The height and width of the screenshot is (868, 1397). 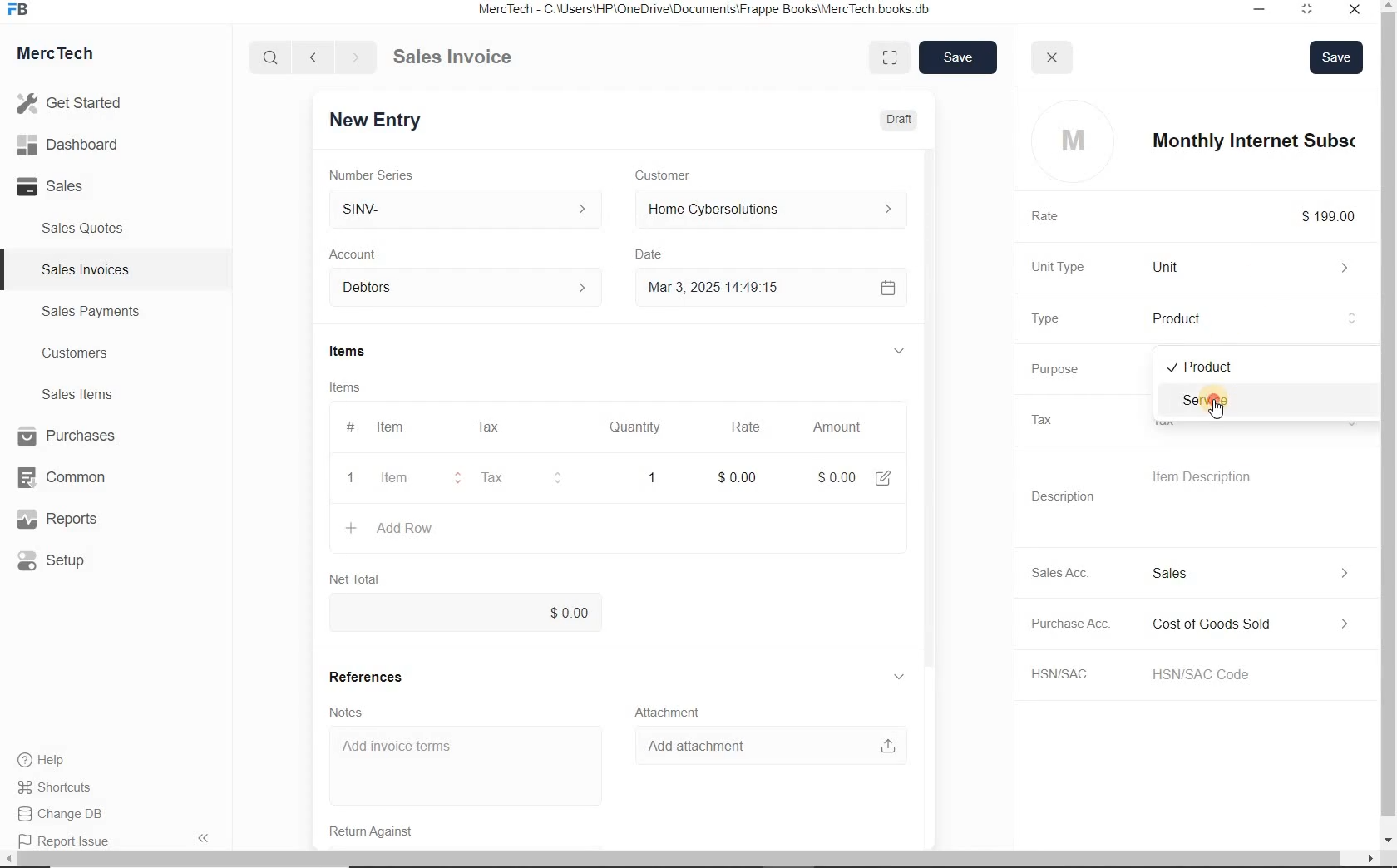 What do you see at coordinates (888, 58) in the screenshot?
I see `Toggle between form and full width` at bounding box center [888, 58].